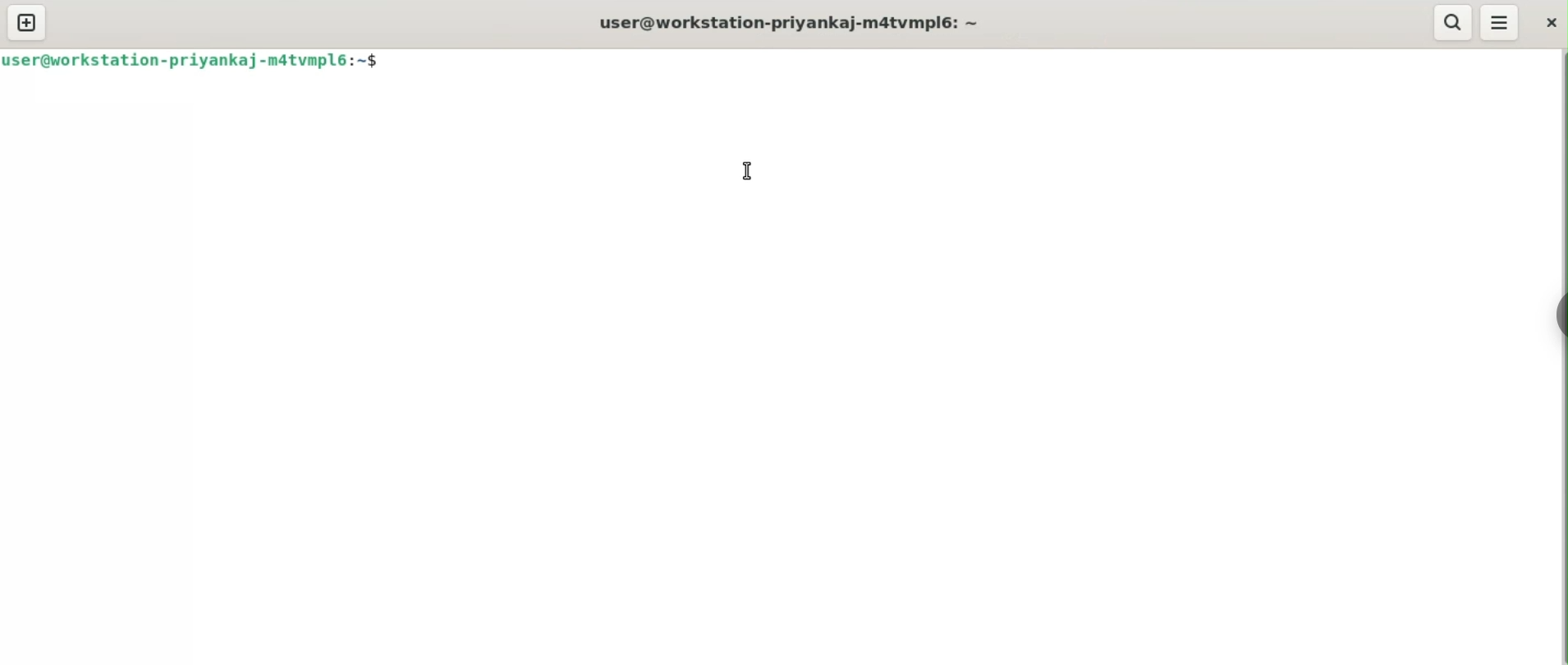  I want to click on search, so click(1453, 22).